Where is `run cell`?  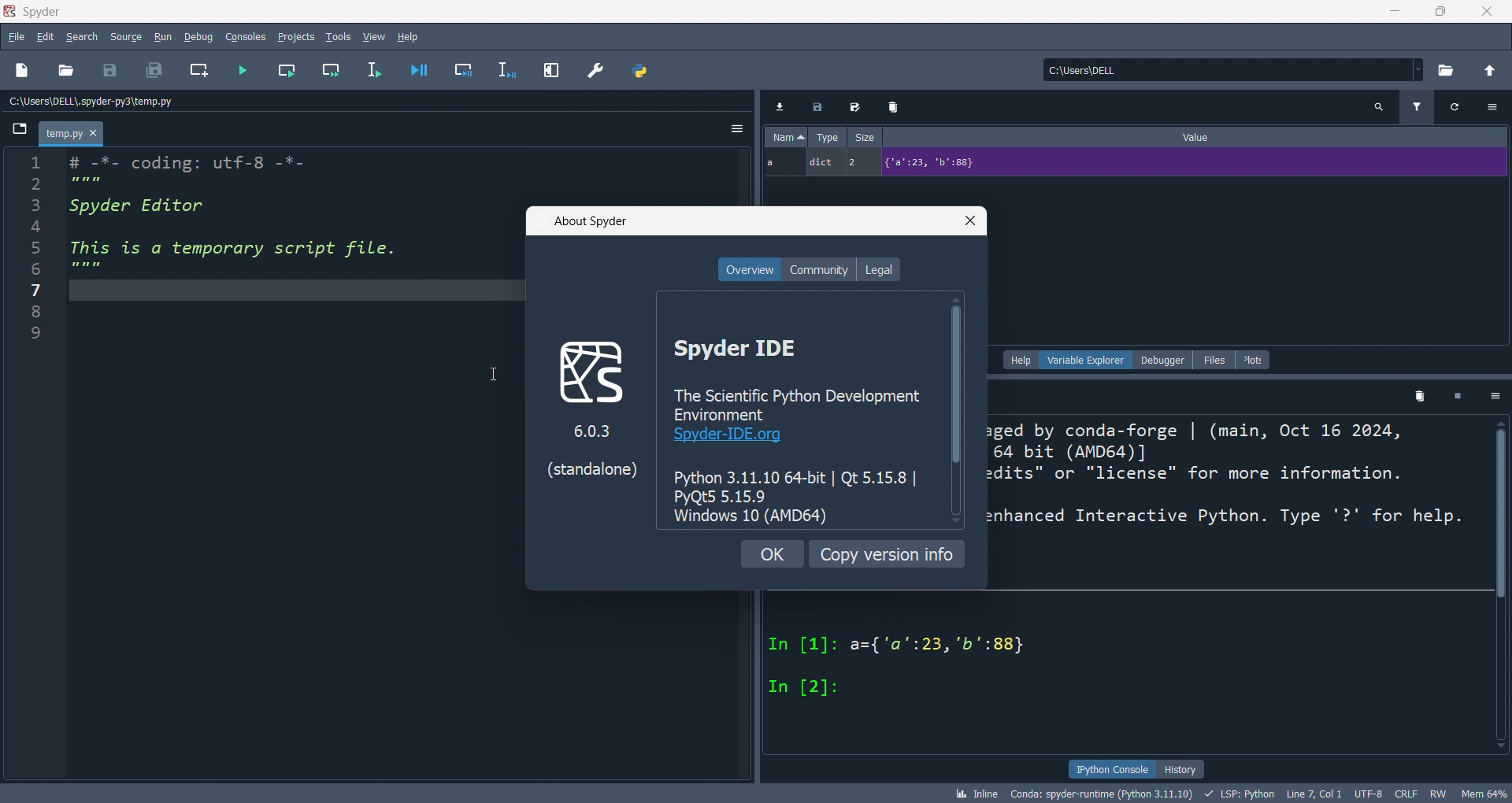
run cell is located at coordinates (329, 71).